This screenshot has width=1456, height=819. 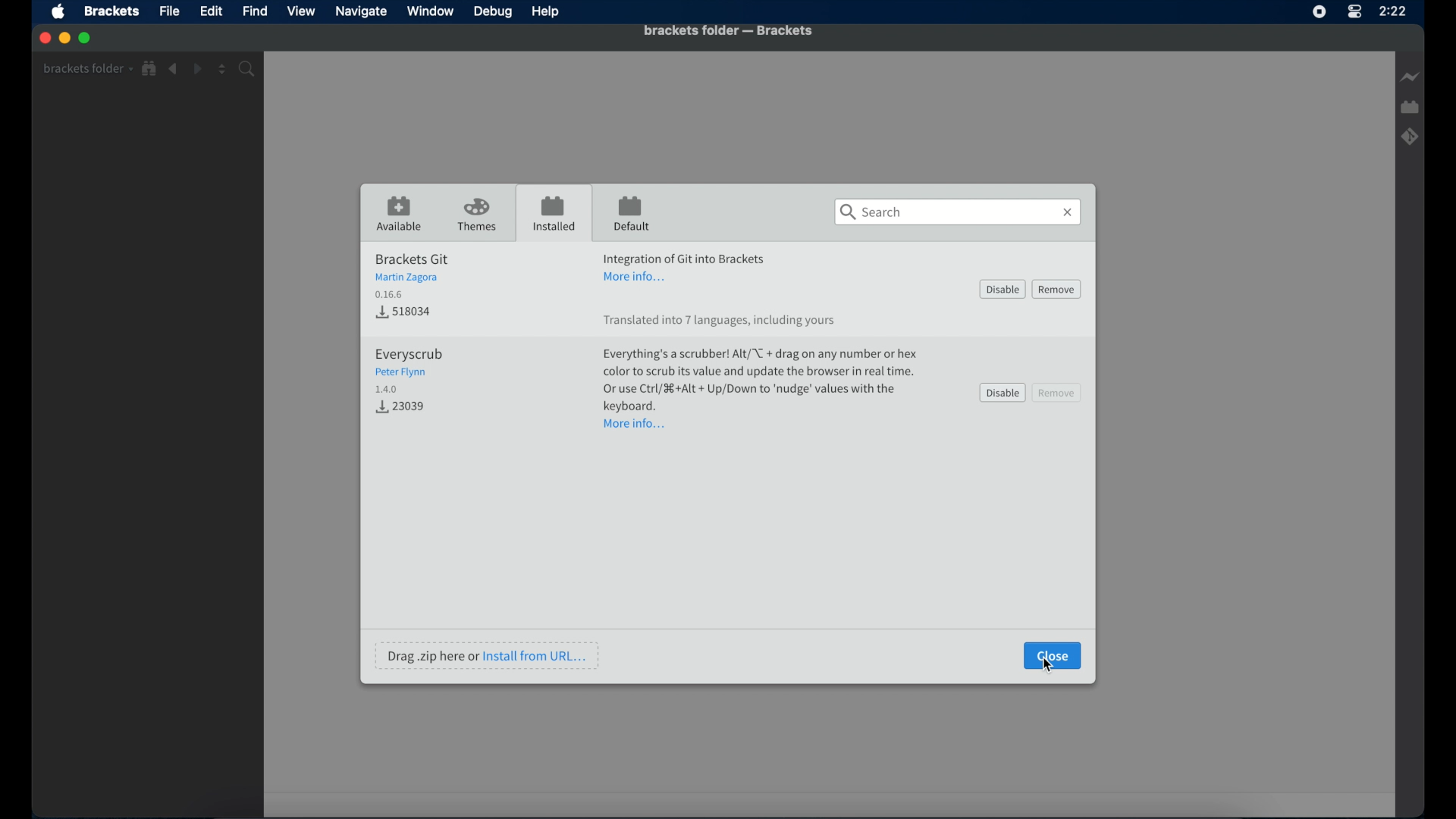 I want to click on extension info, so click(x=685, y=256).